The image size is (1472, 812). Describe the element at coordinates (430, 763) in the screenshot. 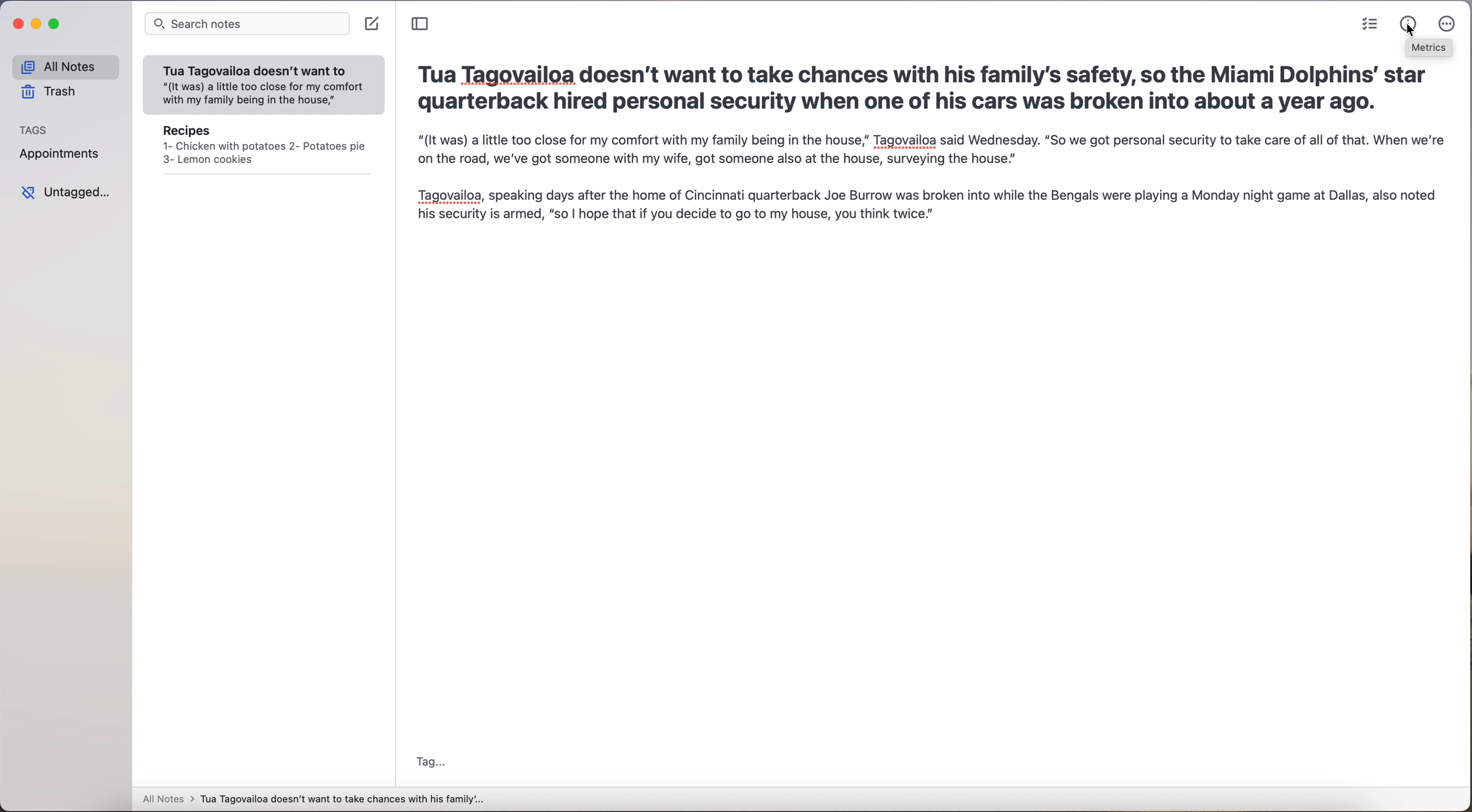

I see `tag` at that location.